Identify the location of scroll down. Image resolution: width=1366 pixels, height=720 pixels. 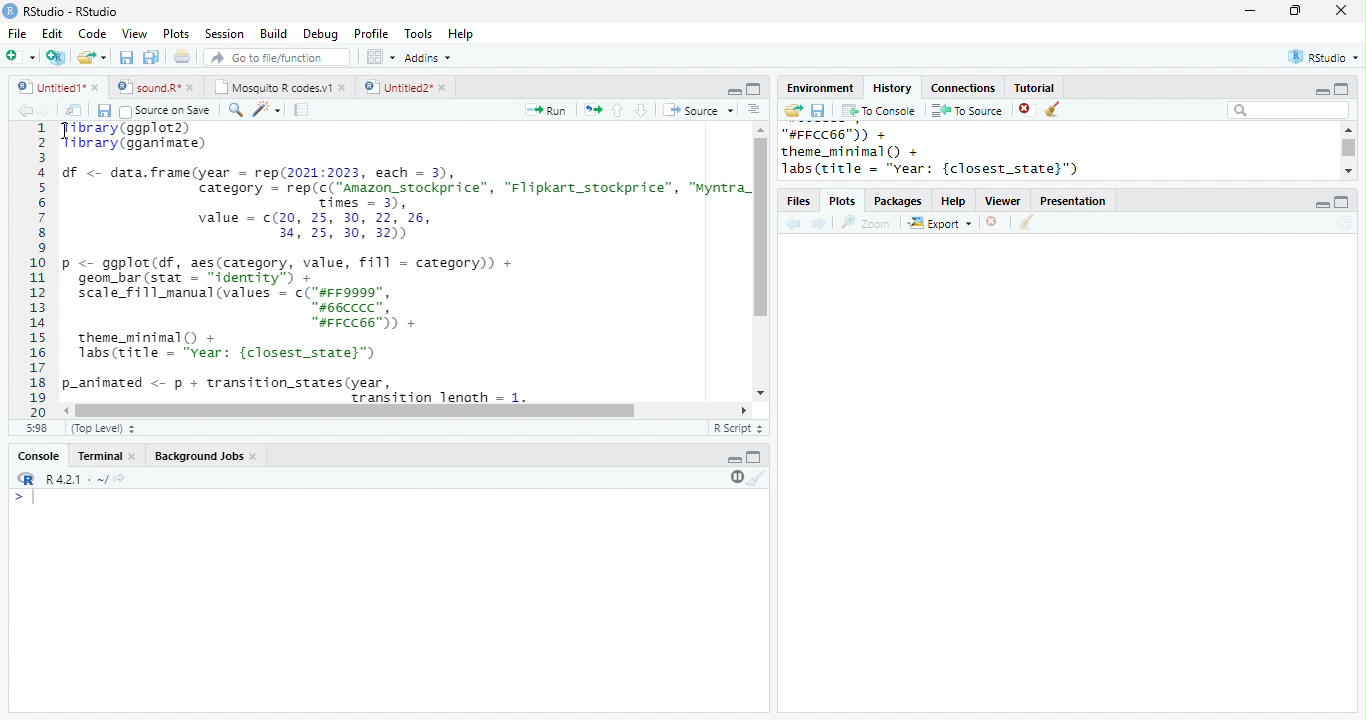
(761, 393).